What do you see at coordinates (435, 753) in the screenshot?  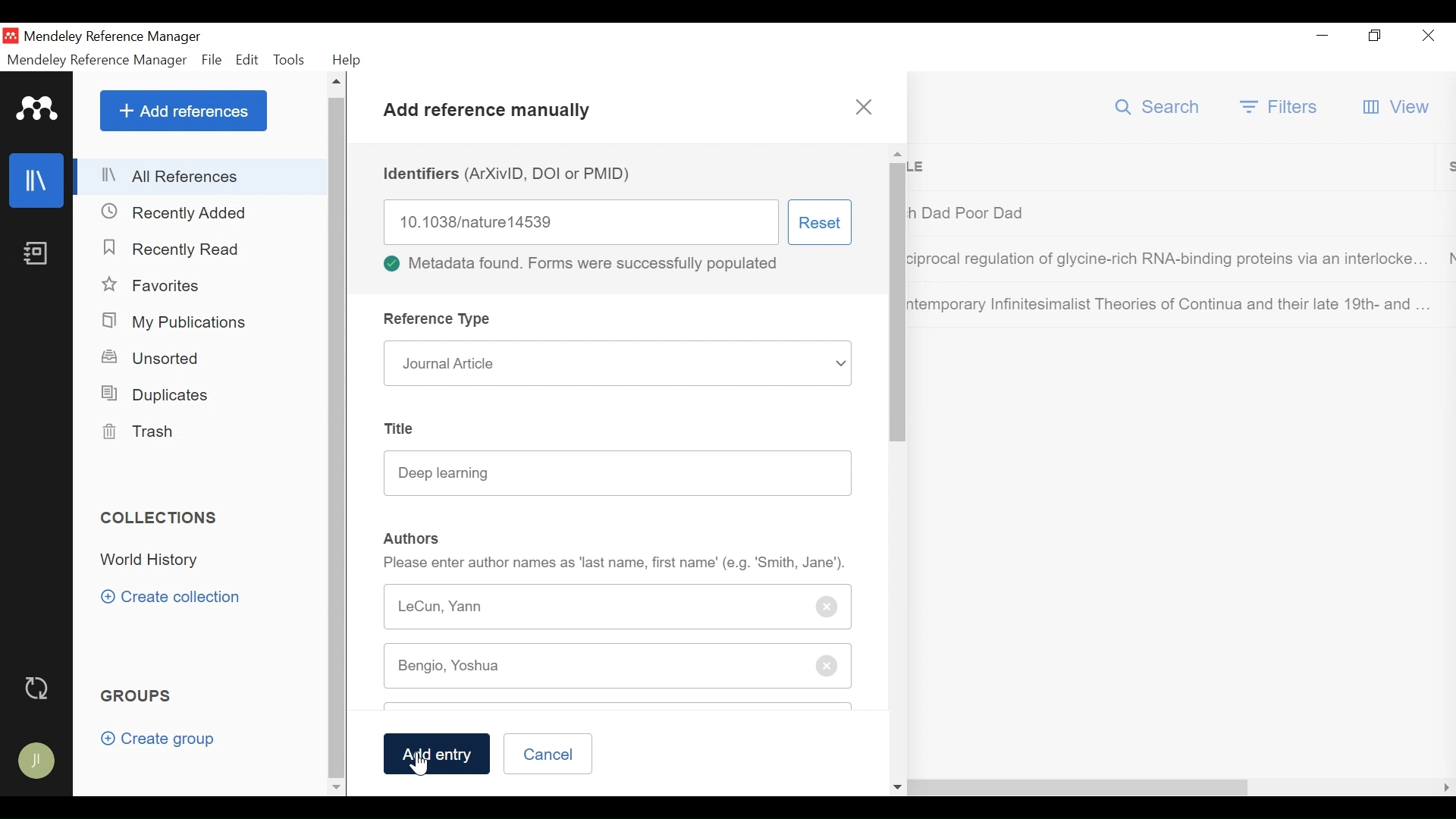 I see `Add Entry` at bounding box center [435, 753].